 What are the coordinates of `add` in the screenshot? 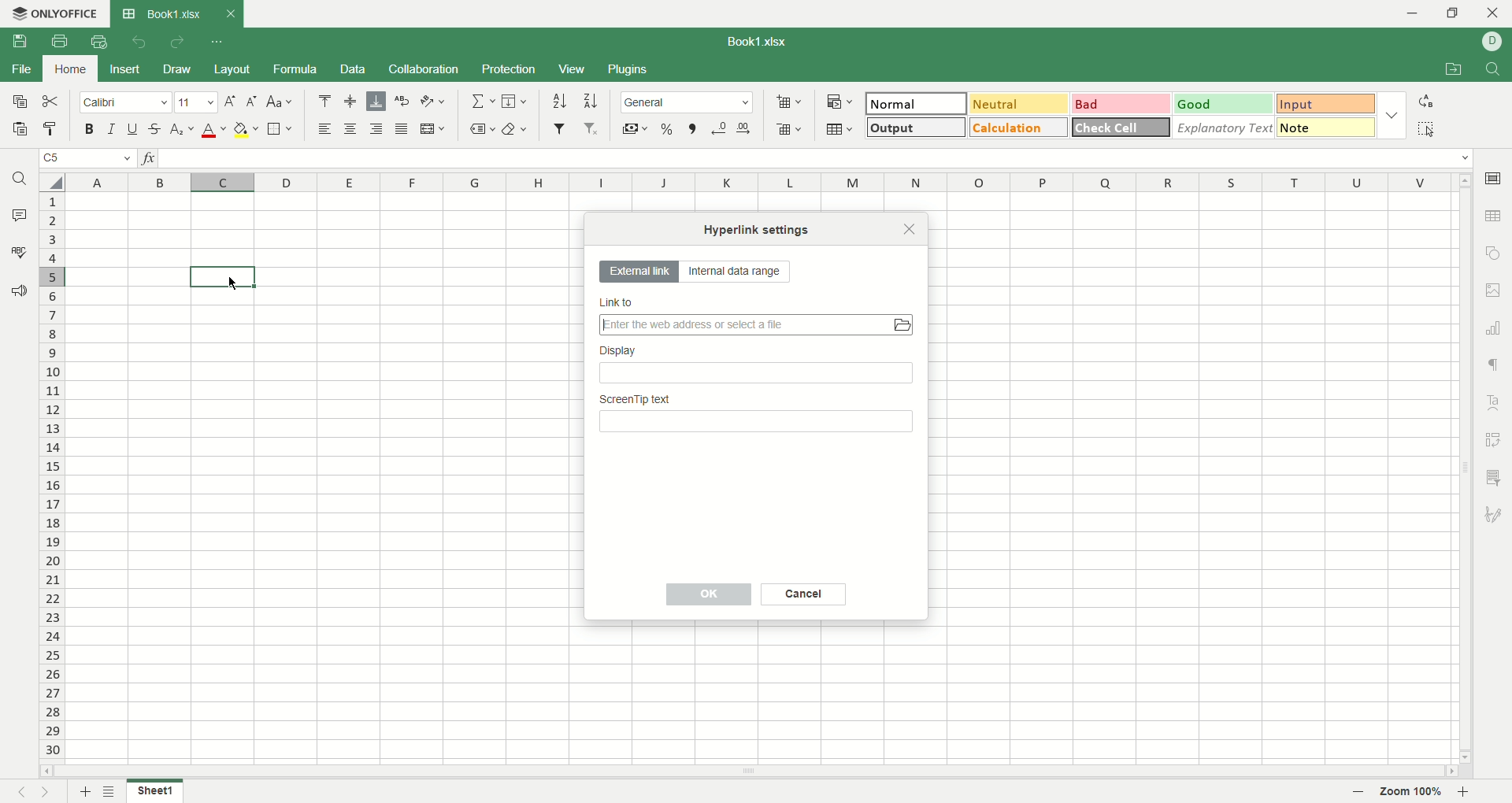 It's located at (83, 791).